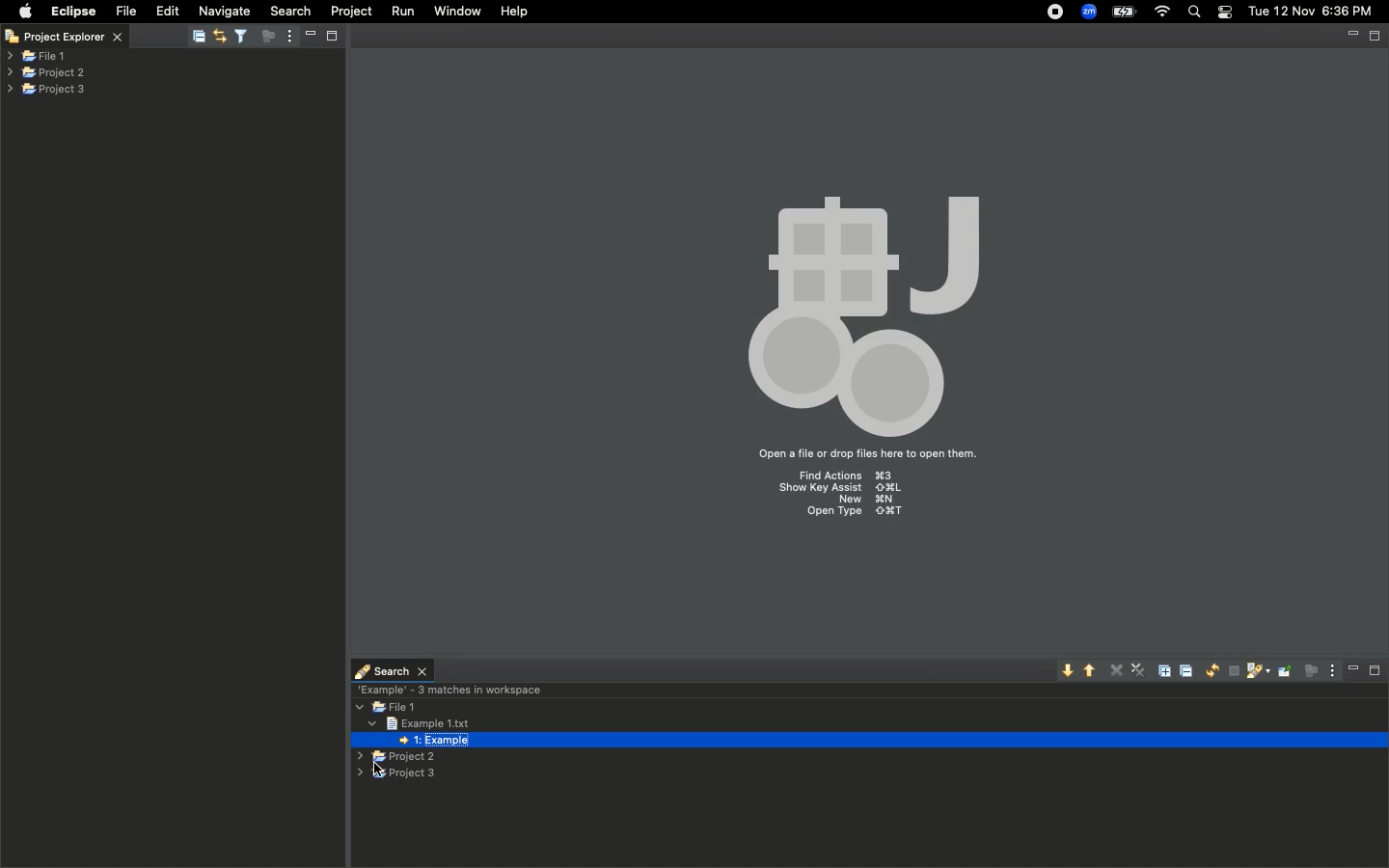 The height and width of the screenshot is (868, 1389). I want to click on Projects, so click(47, 70).